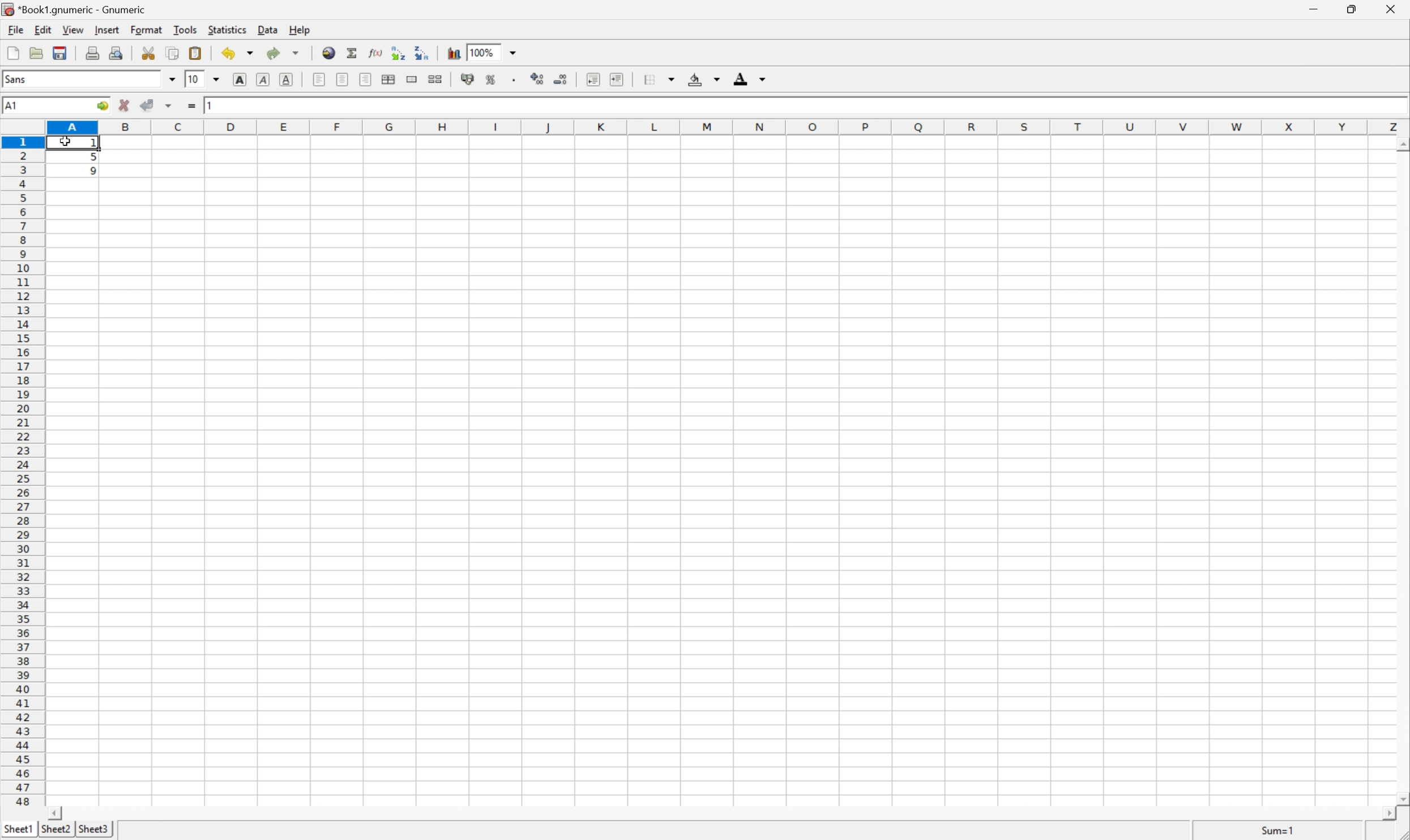  I want to click on format, so click(148, 29).